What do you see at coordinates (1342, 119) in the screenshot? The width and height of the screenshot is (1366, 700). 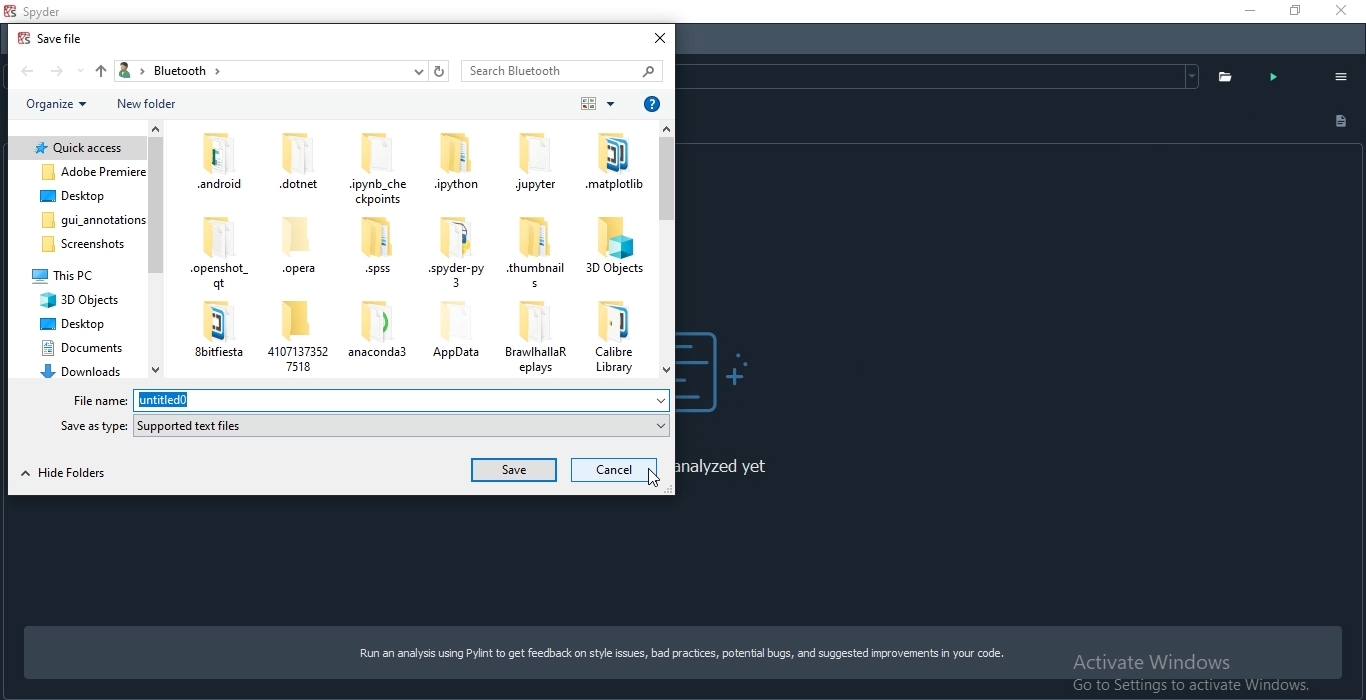 I see `document` at bounding box center [1342, 119].